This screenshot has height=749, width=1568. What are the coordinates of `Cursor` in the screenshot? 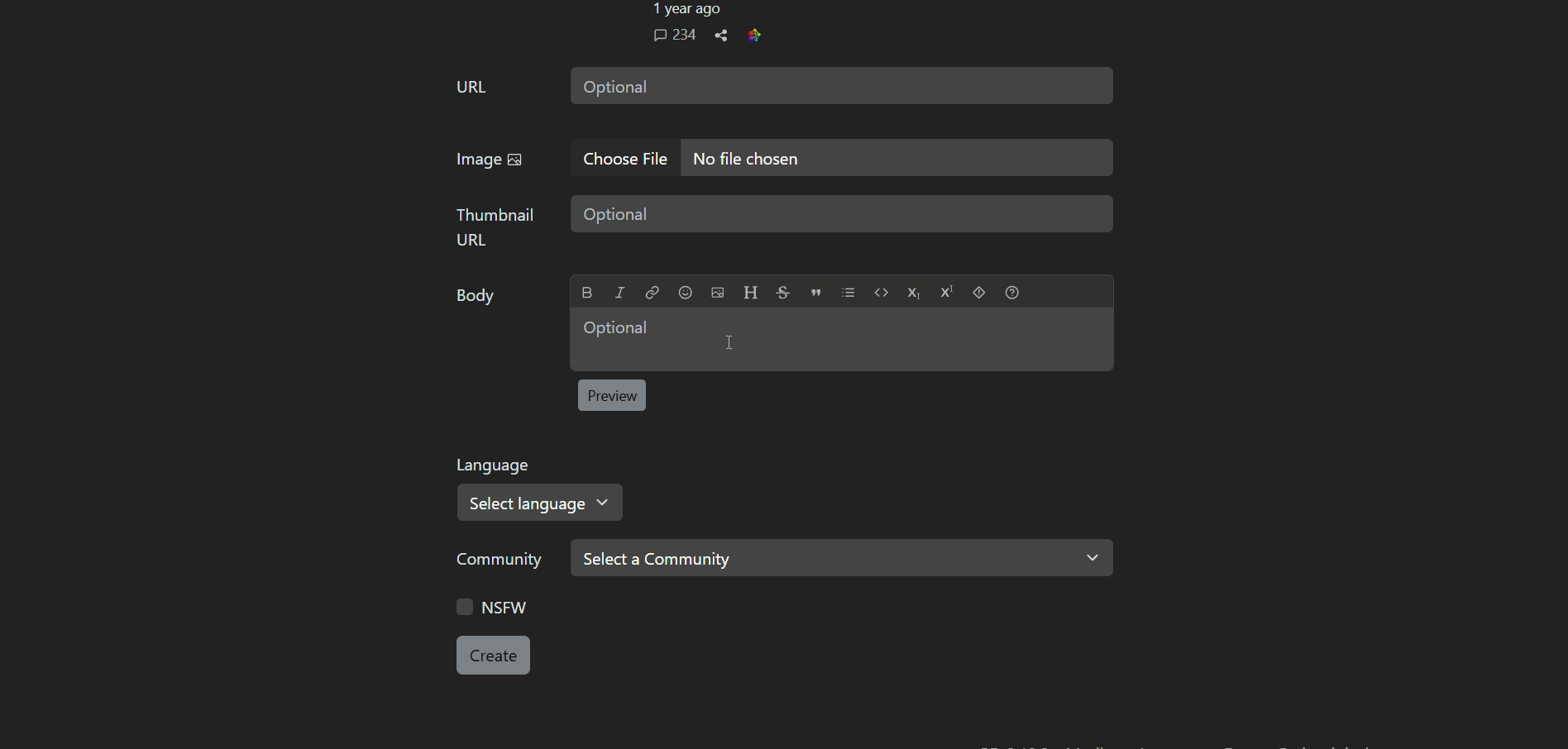 It's located at (729, 342).